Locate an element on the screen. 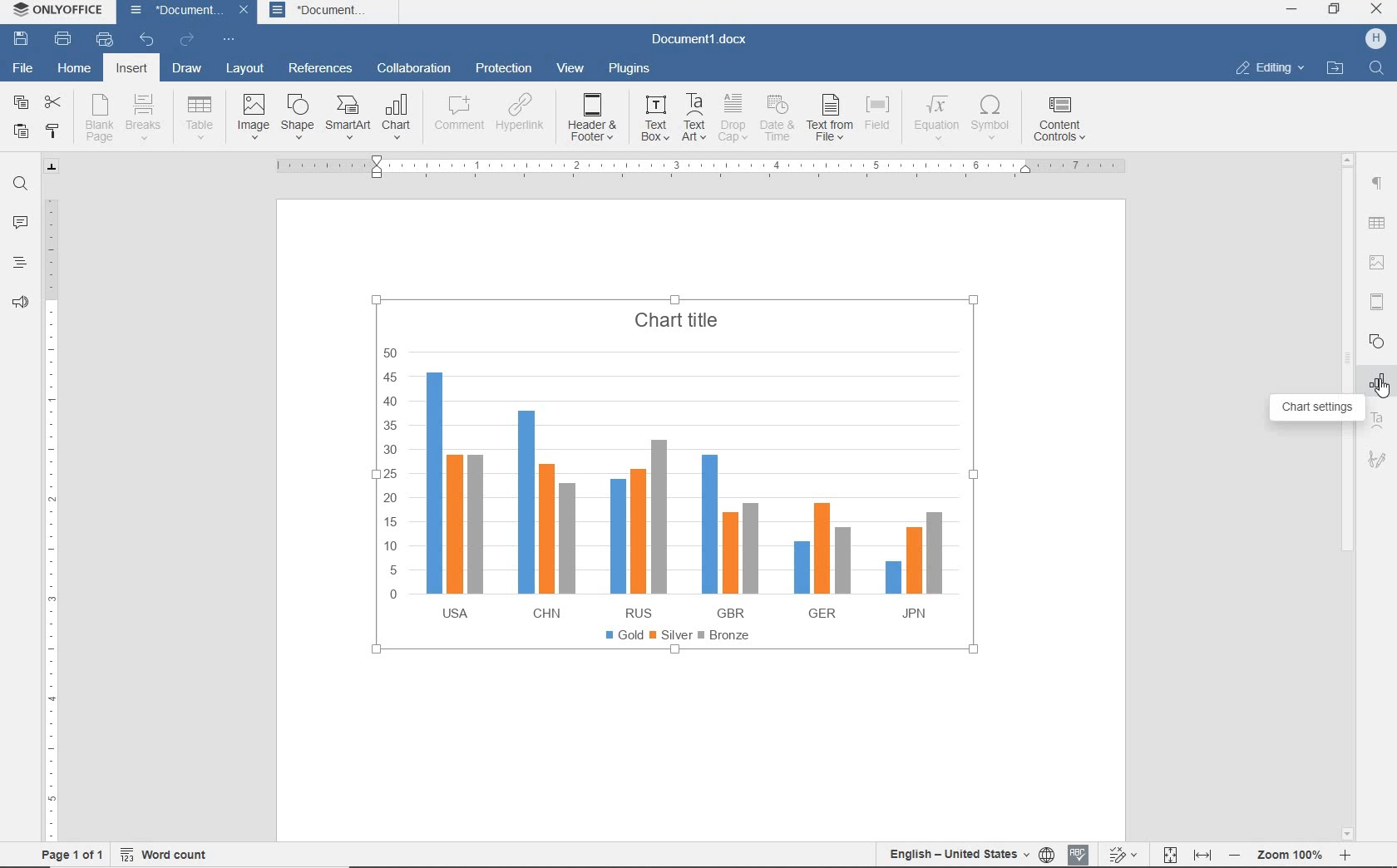 The width and height of the screenshot is (1397, 868). undo is located at coordinates (146, 41).